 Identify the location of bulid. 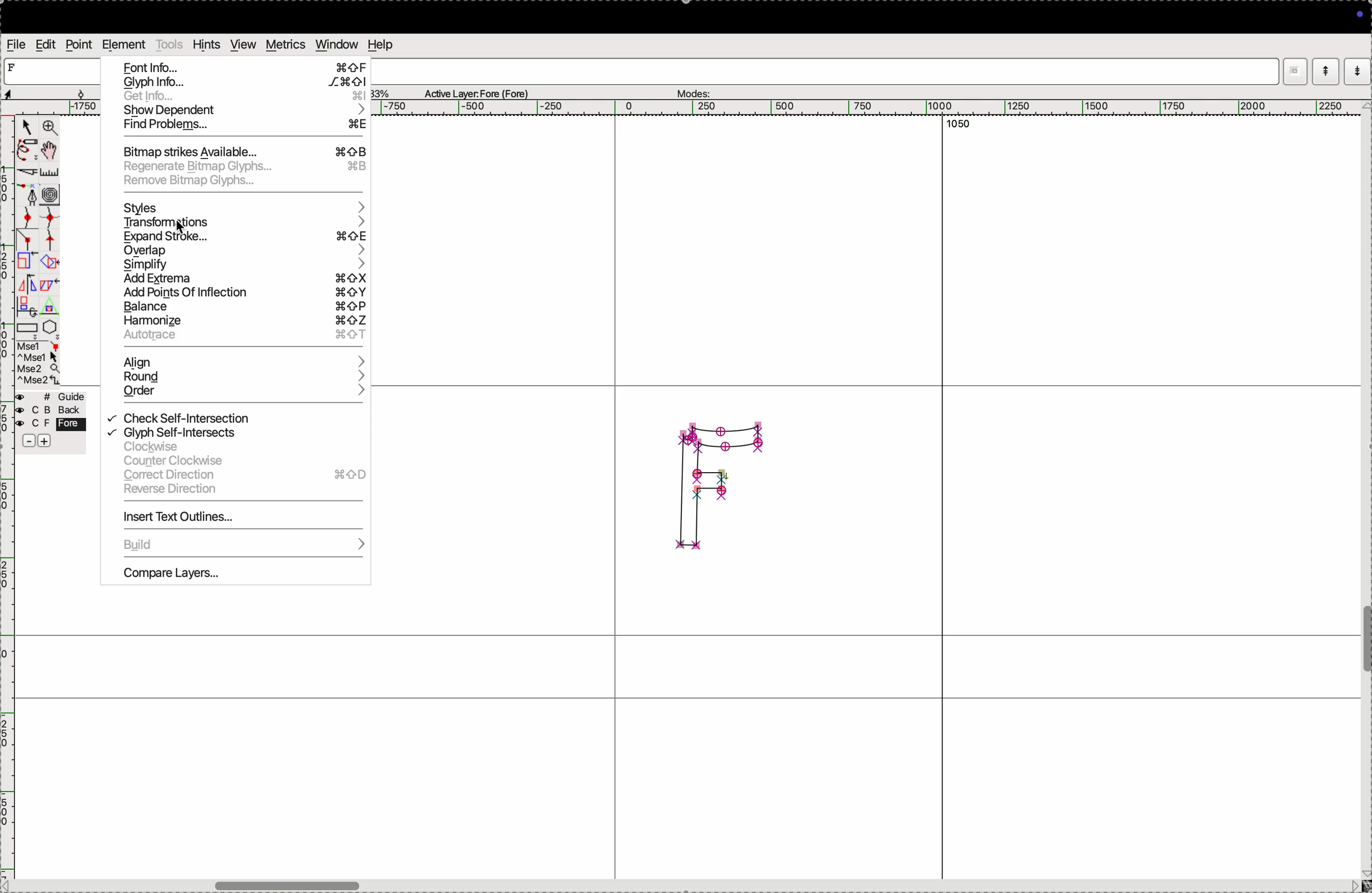
(235, 546).